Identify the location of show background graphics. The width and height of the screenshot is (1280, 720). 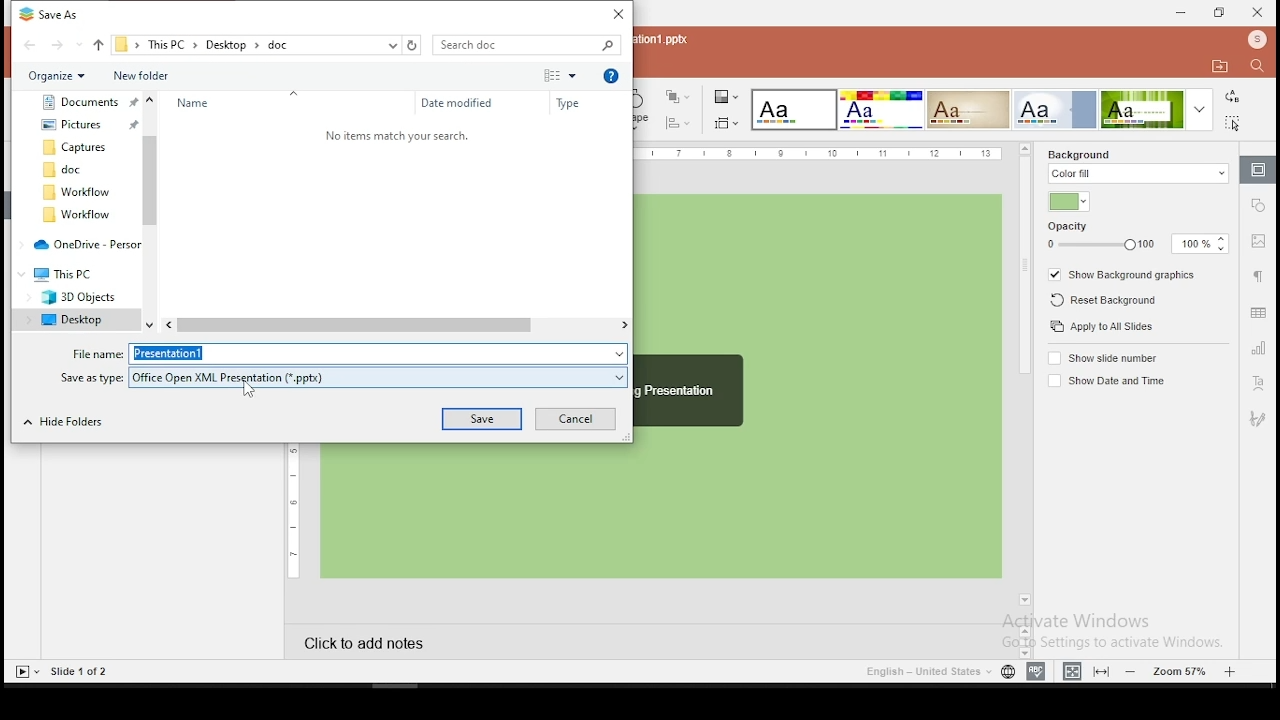
(1125, 275).